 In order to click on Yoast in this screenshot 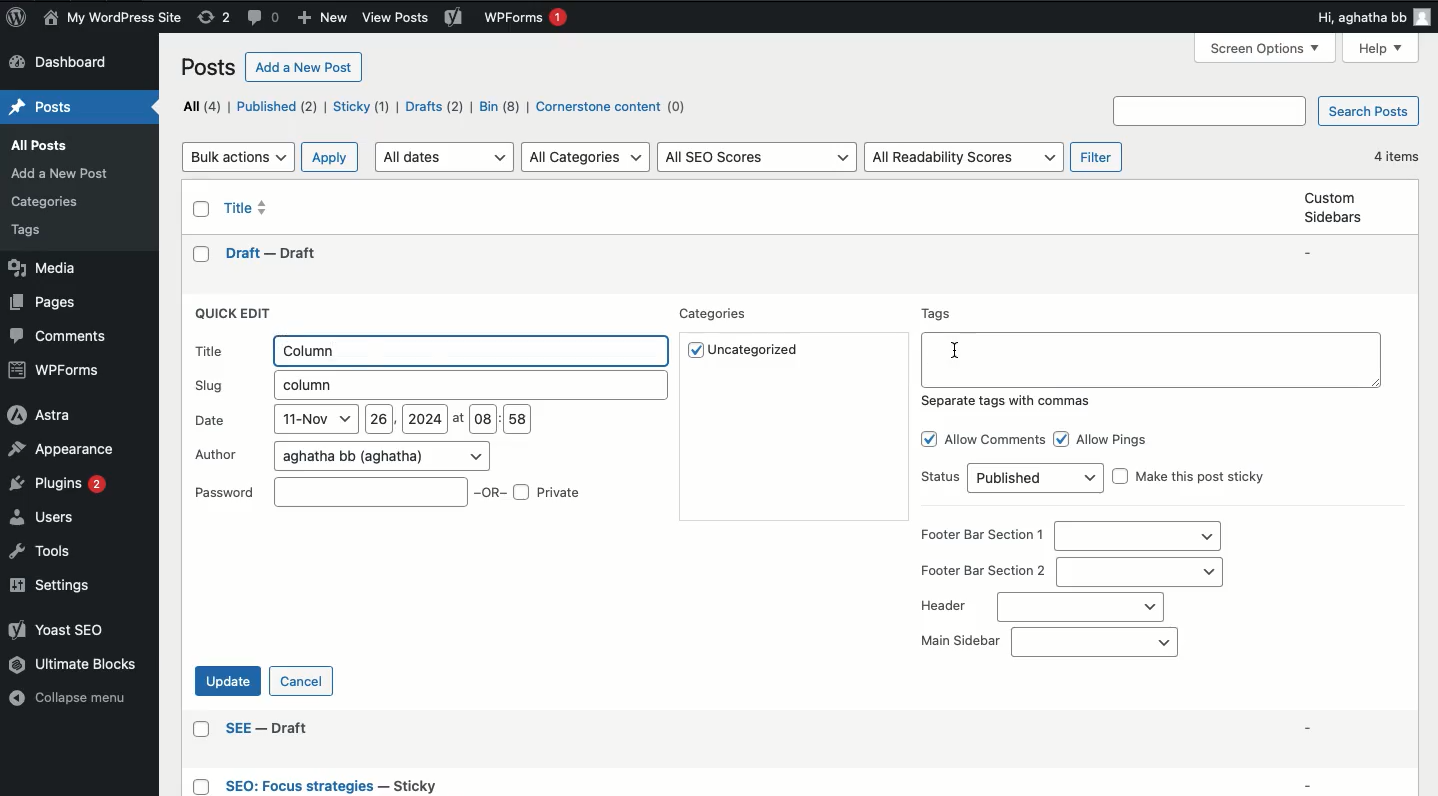, I will do `click(63, 633)`.